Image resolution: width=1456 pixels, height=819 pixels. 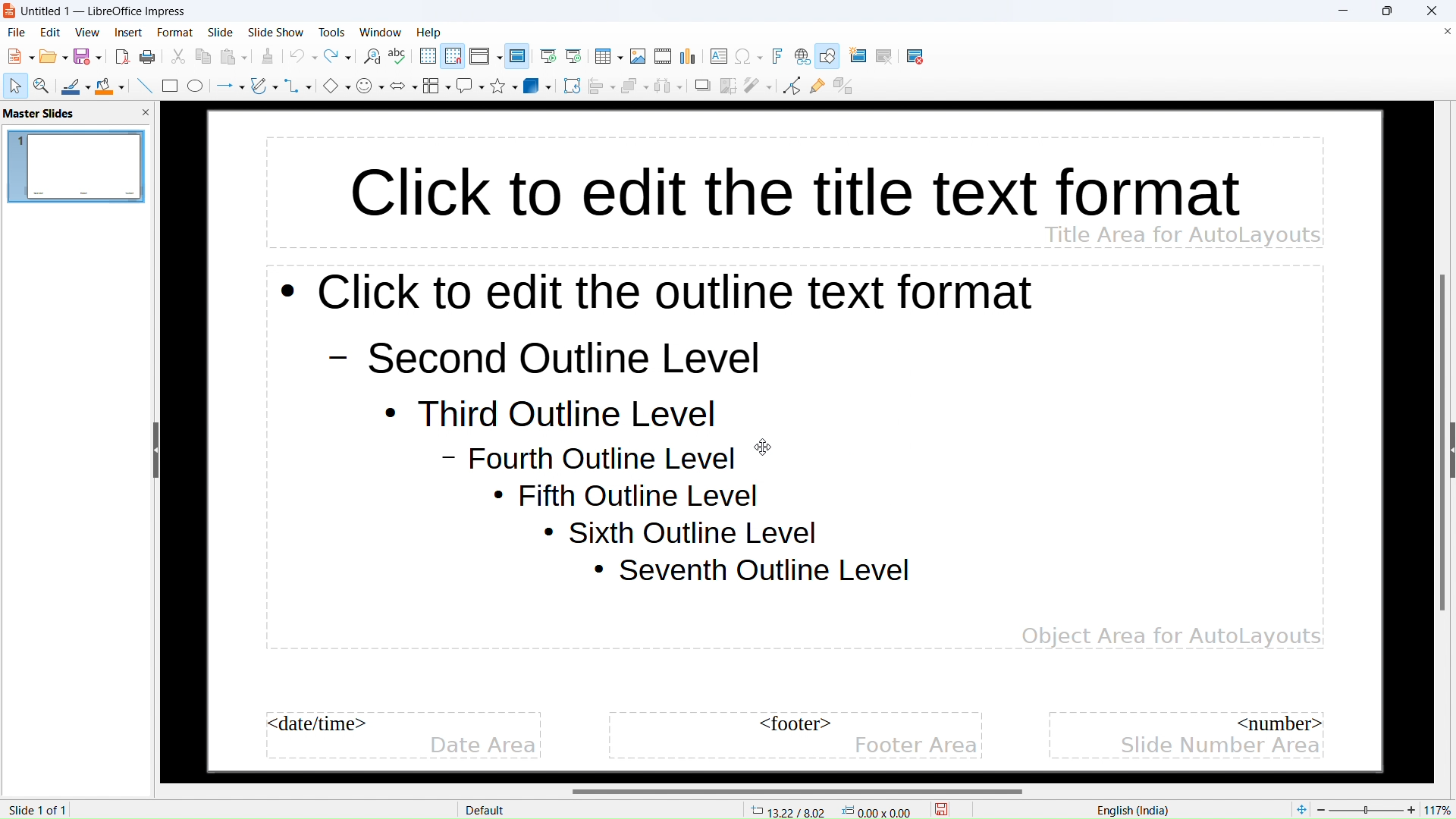 I want to click on insert image, so click(x=639, y=56).